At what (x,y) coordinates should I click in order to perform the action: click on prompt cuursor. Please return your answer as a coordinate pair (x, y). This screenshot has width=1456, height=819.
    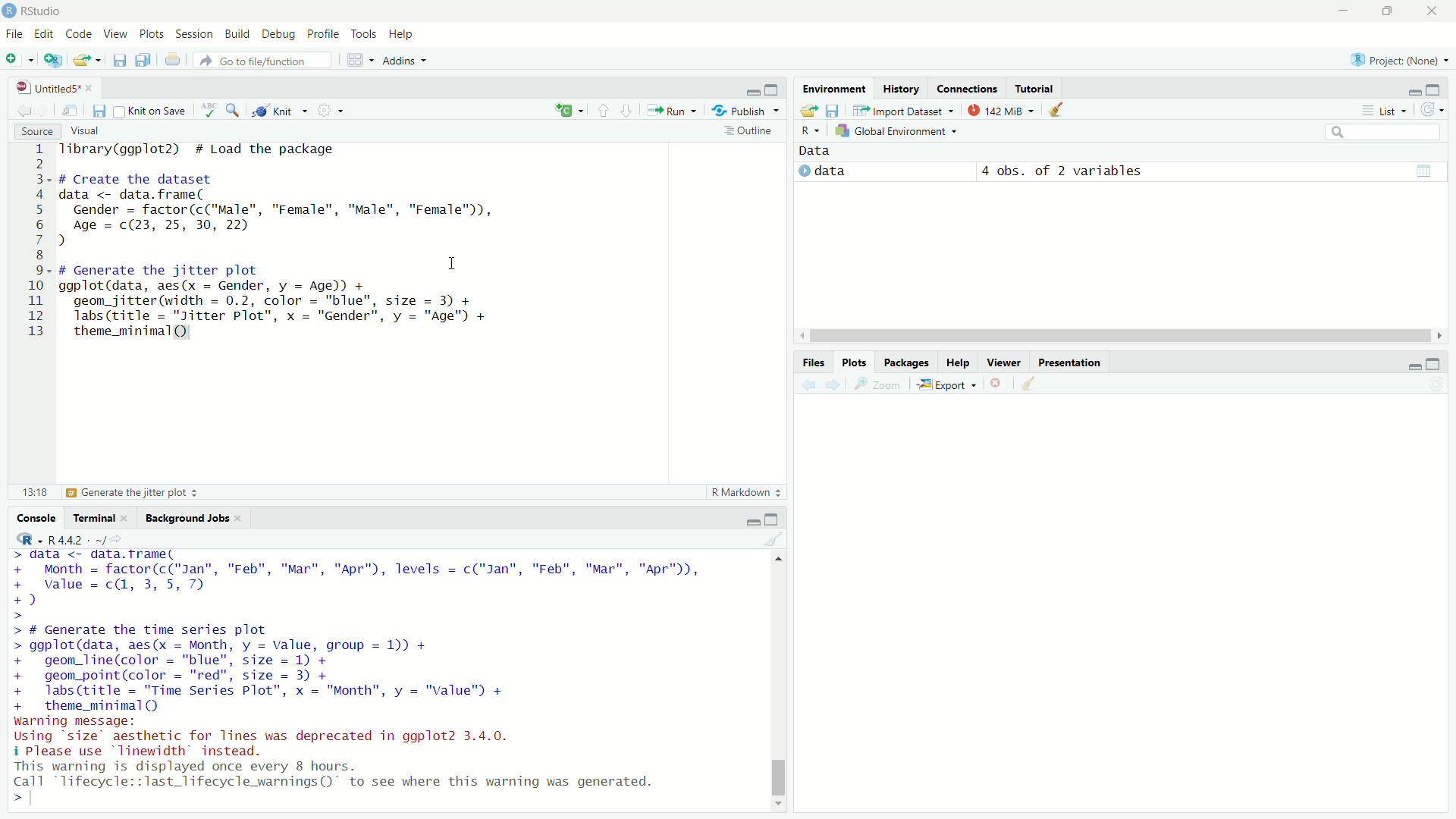
    Looking at the image, I should click on (15, 616).